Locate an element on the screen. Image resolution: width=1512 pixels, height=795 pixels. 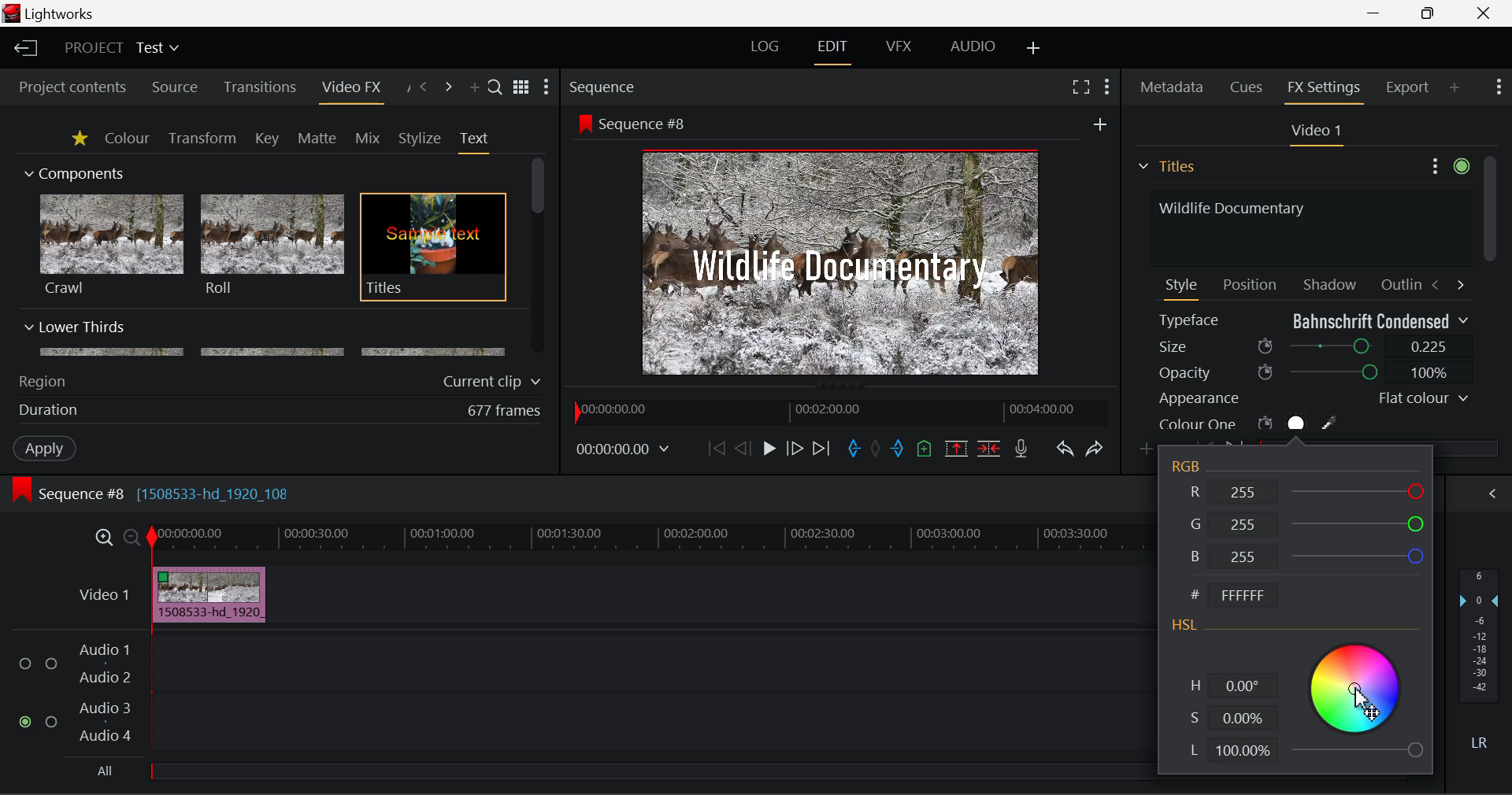
Mark In is located at coordinates (854, 451).